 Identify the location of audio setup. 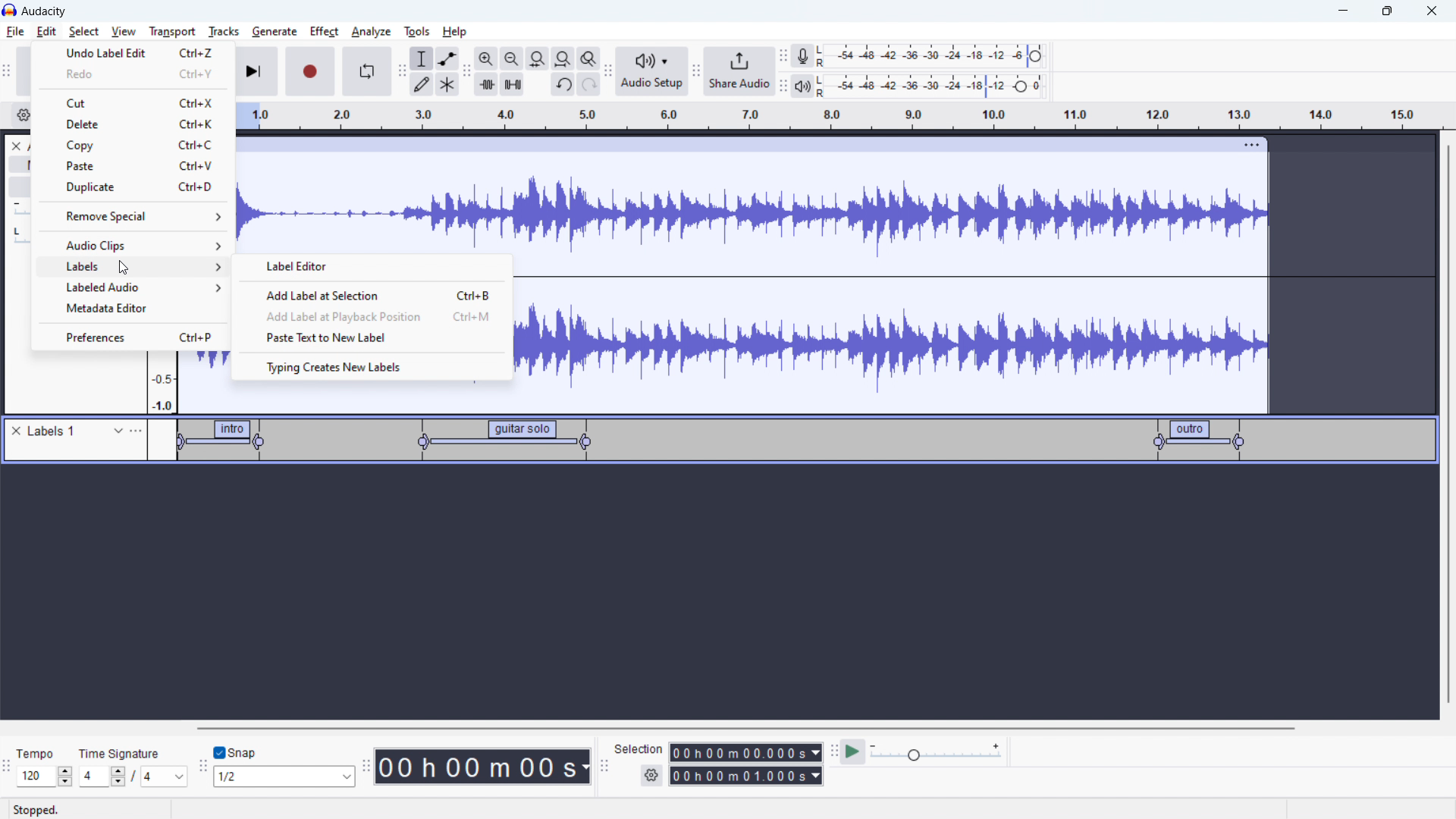
(652, 72).